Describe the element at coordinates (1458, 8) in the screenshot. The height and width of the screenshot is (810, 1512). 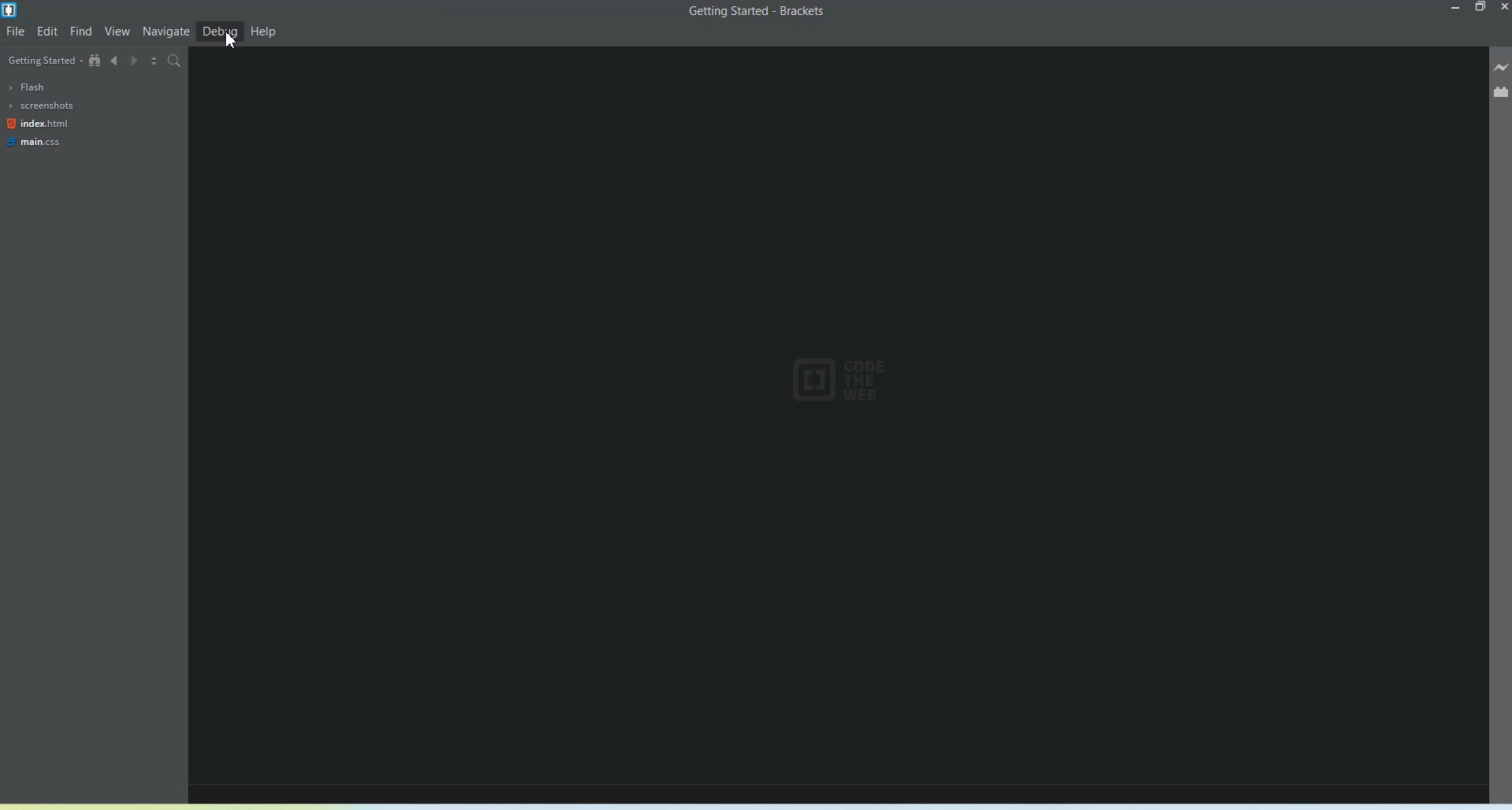
I see `Minimize` at that location.